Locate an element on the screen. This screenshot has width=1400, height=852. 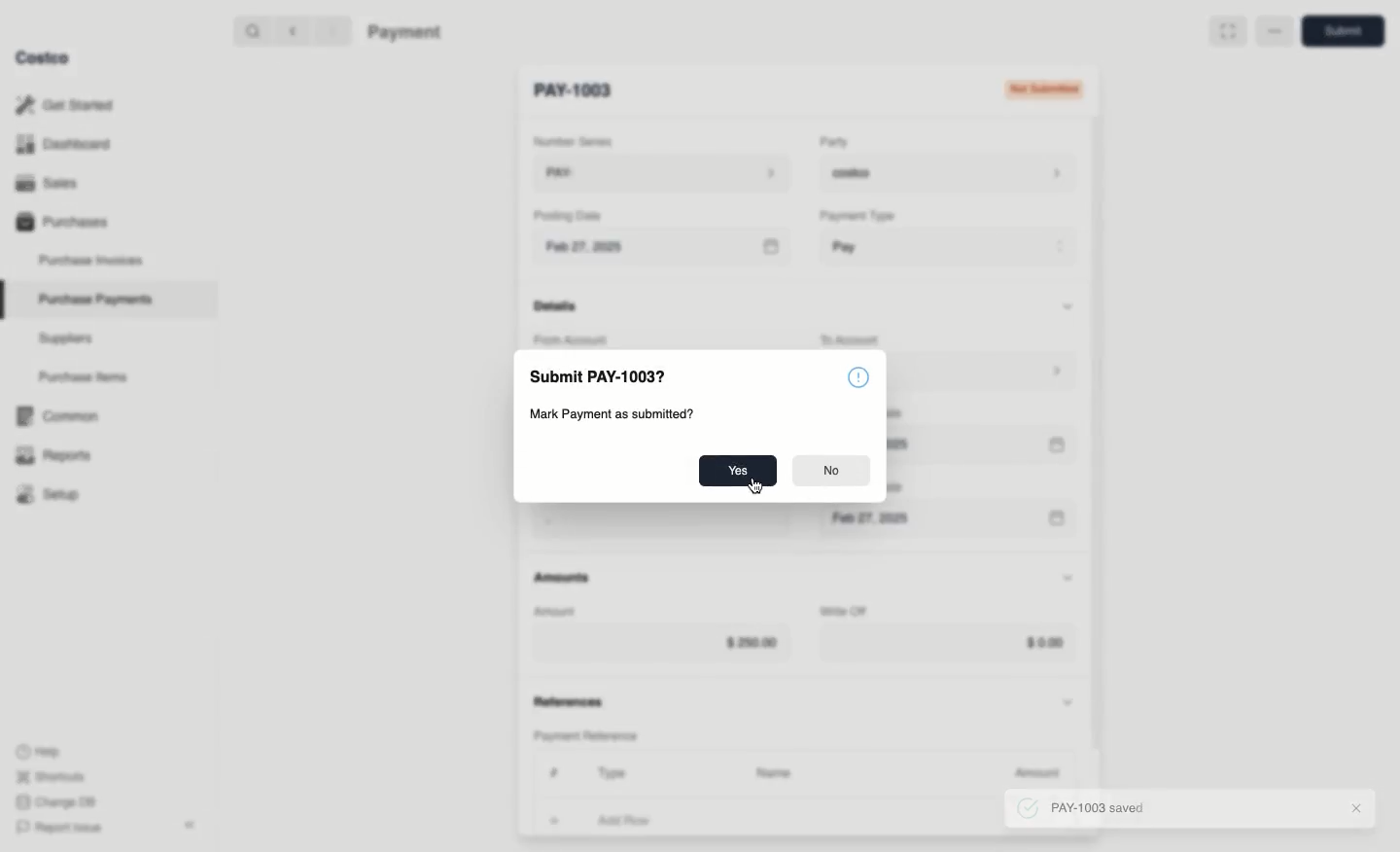
Setup is located at coordinates (54, 496).